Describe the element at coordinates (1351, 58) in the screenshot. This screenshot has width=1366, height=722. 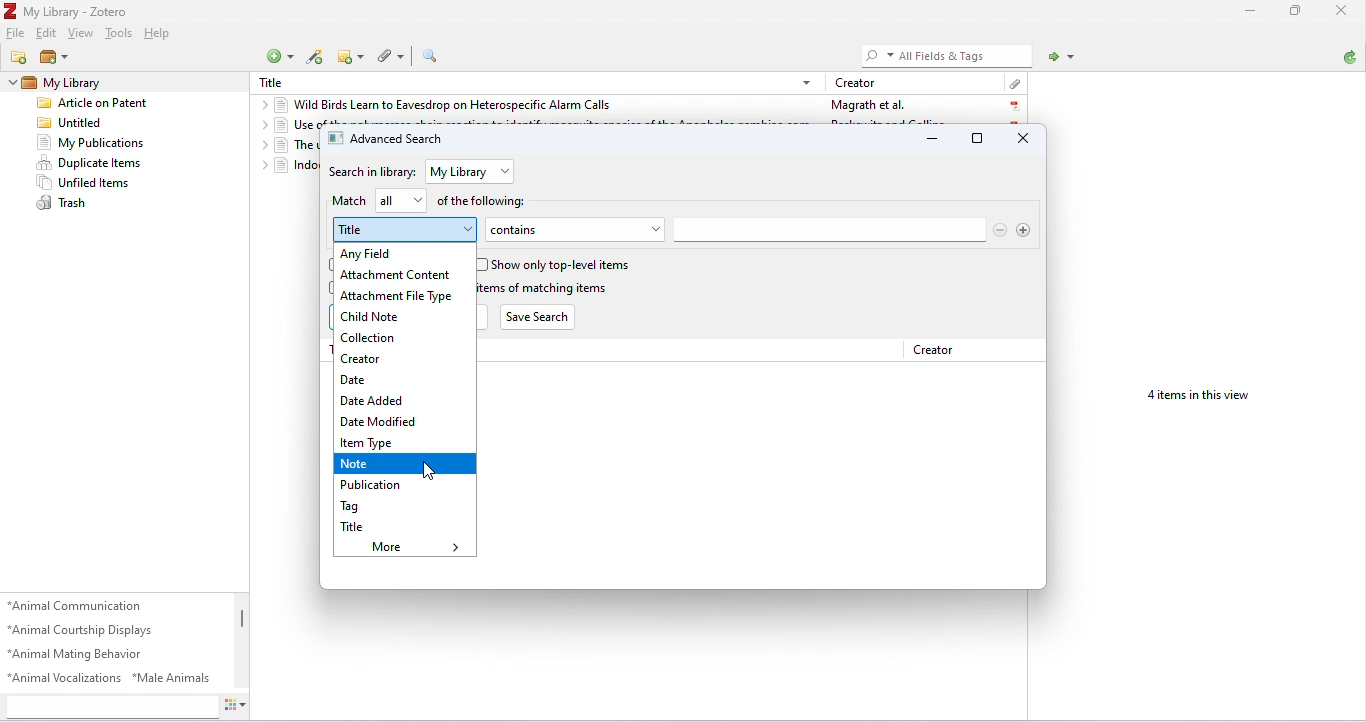
I see `sync with zotero.org` at that location.